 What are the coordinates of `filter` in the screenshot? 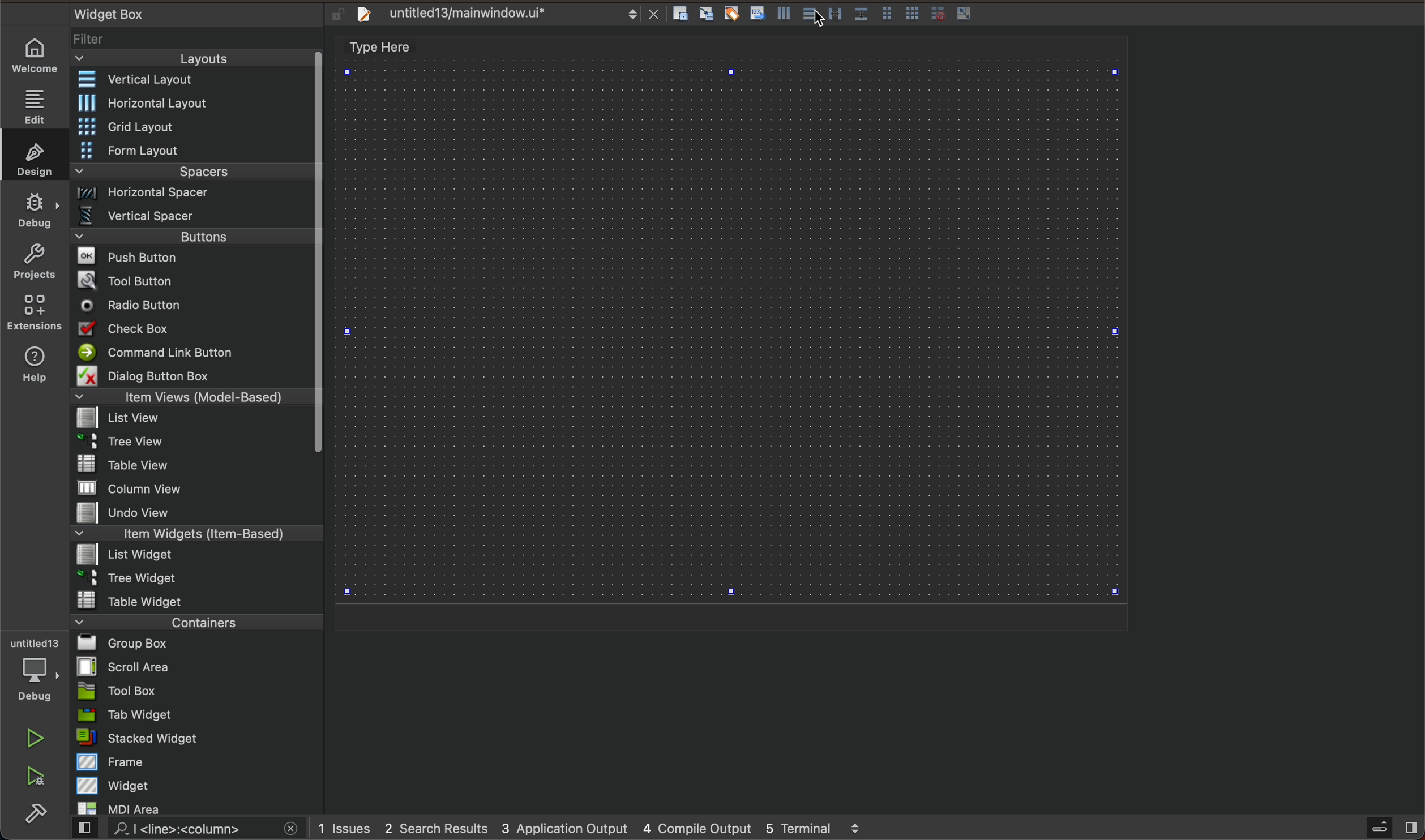 It's located at (196, 39).